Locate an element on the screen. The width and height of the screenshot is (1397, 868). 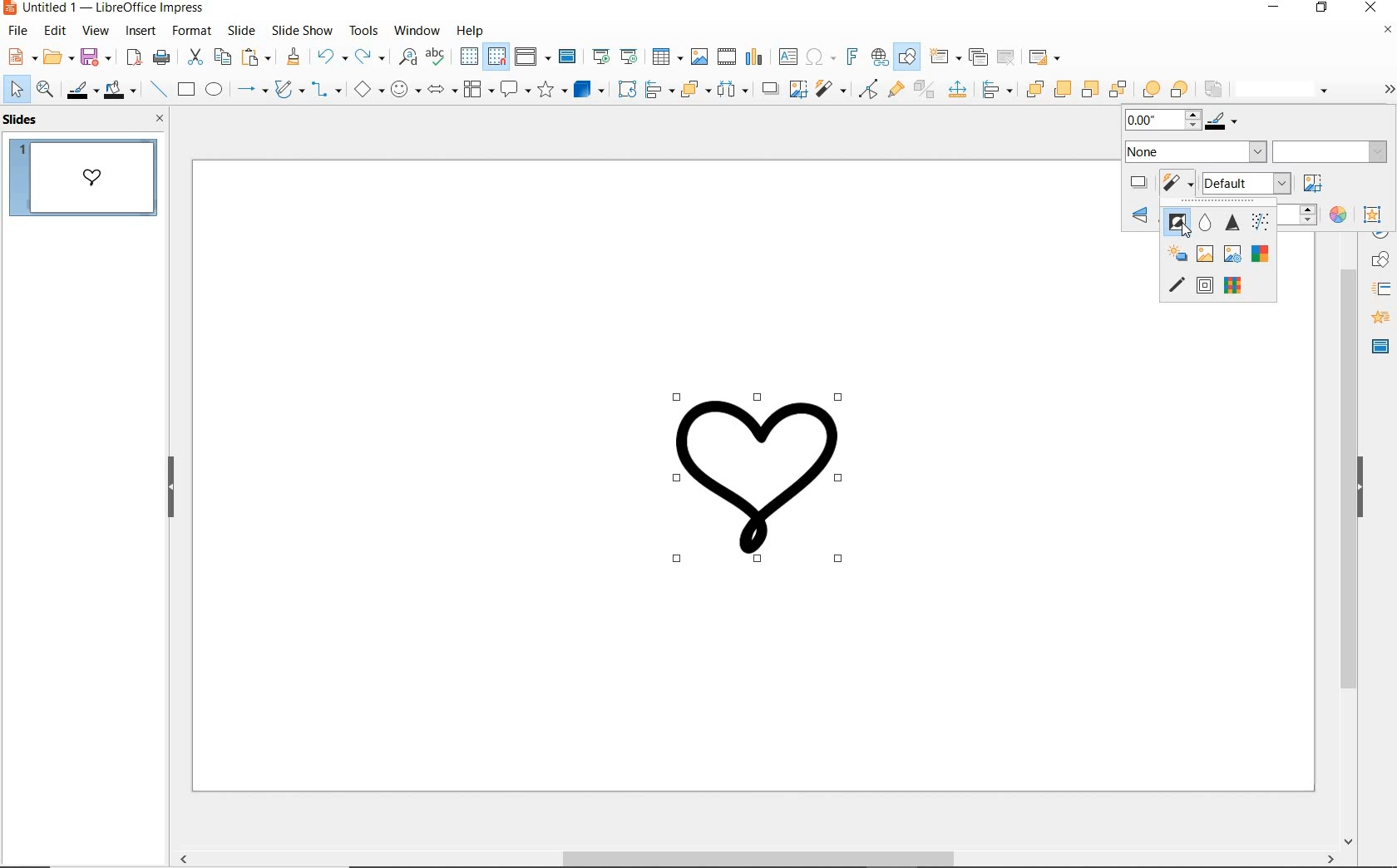
toggle extrusion is located at coordinates (924, 91).